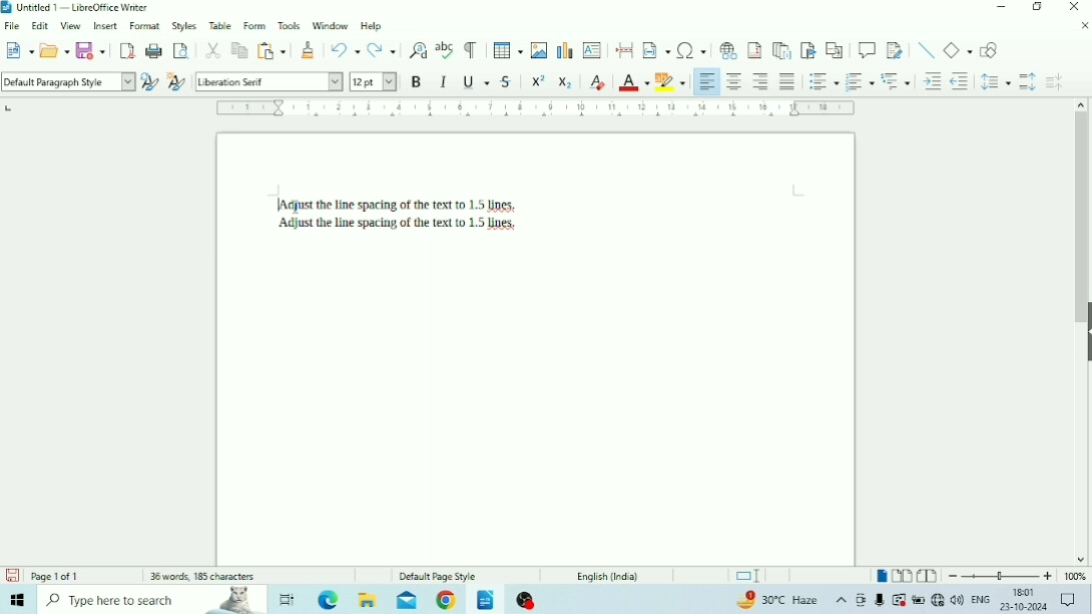  Describe the element at coordinates (938, 600) in the screenshot. I see `Internet` at that location.